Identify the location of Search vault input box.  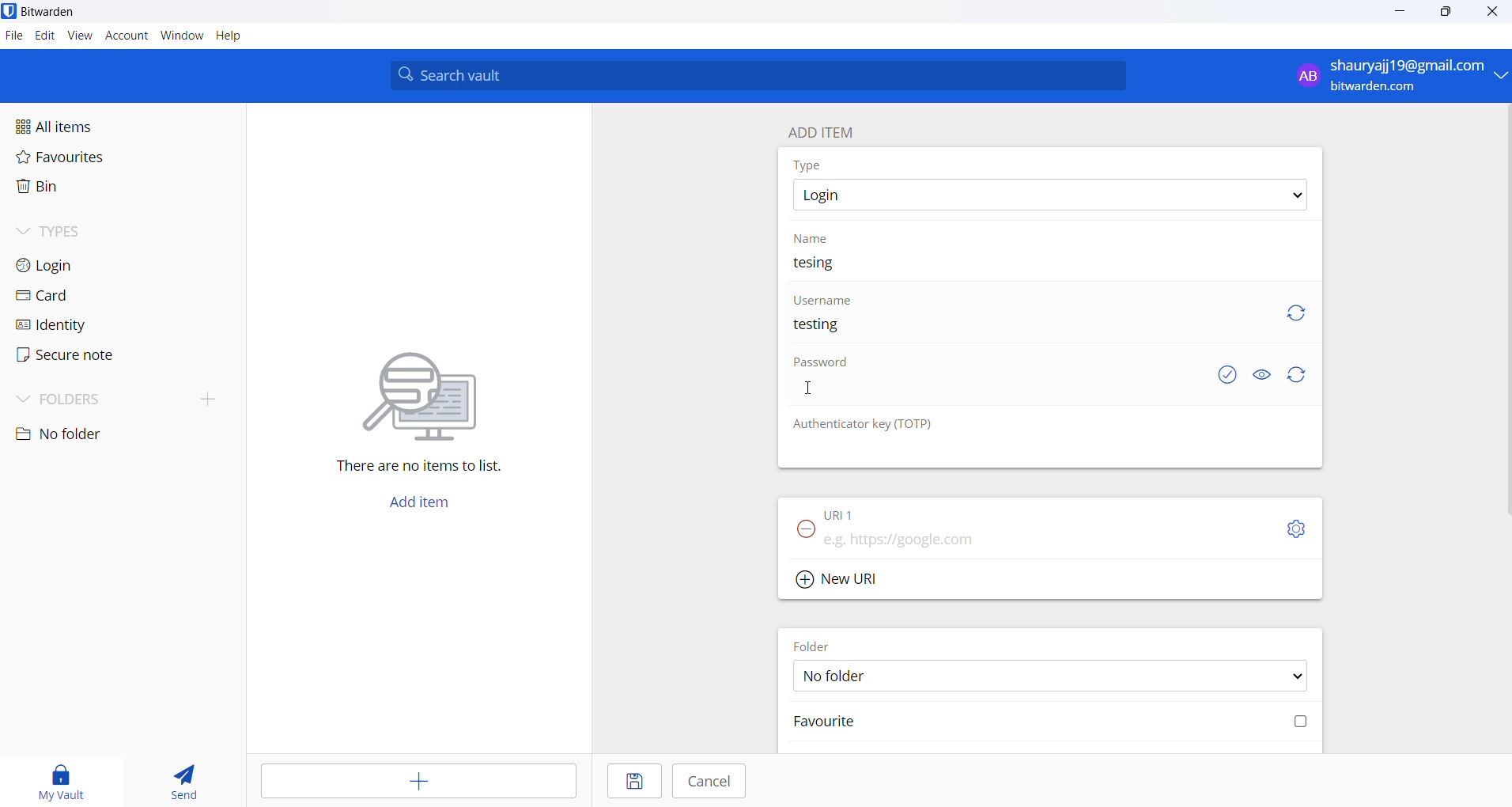
(753, 75).